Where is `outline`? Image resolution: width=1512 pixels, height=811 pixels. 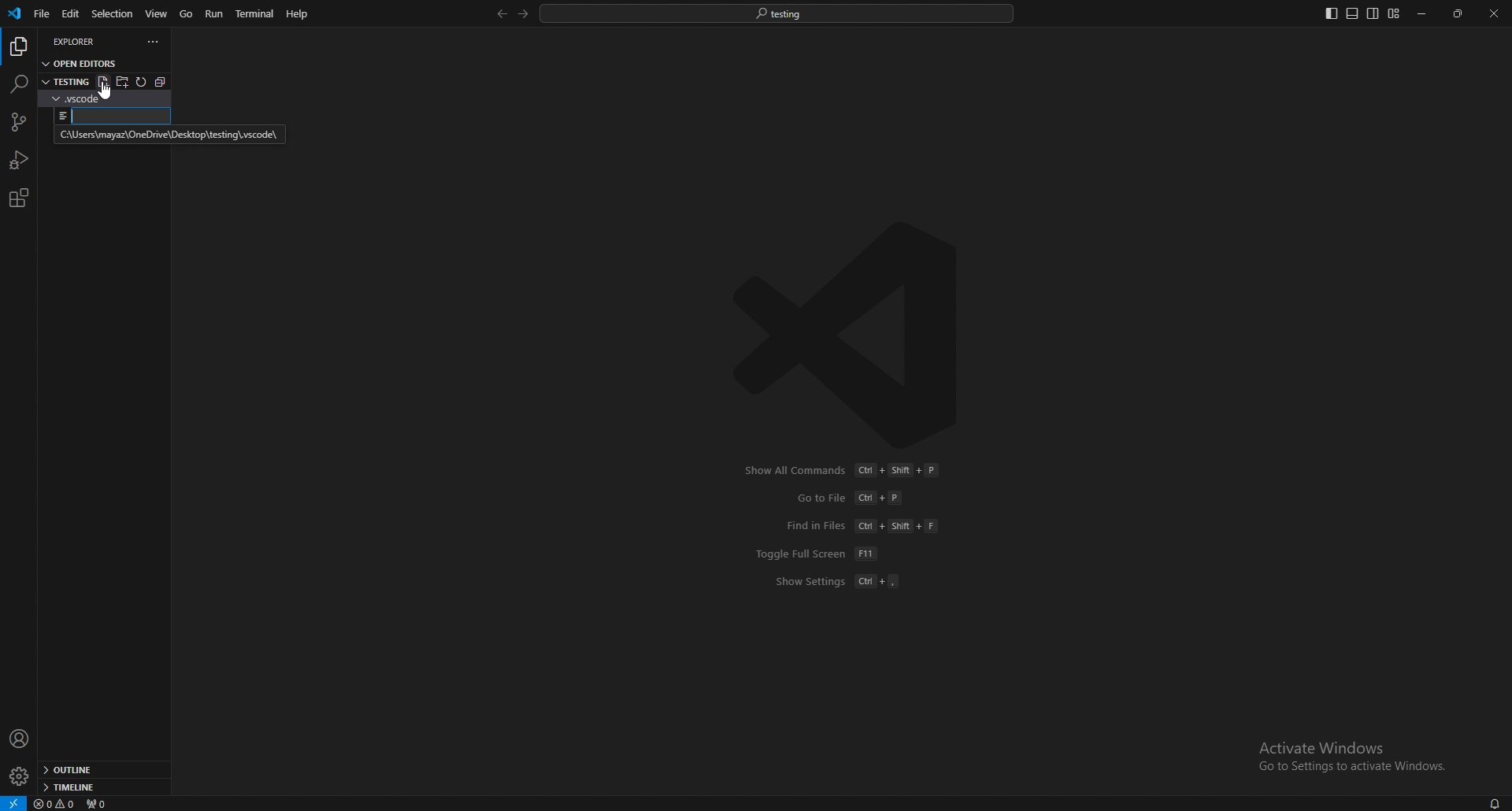 outline is located at coordinates (102, 771).